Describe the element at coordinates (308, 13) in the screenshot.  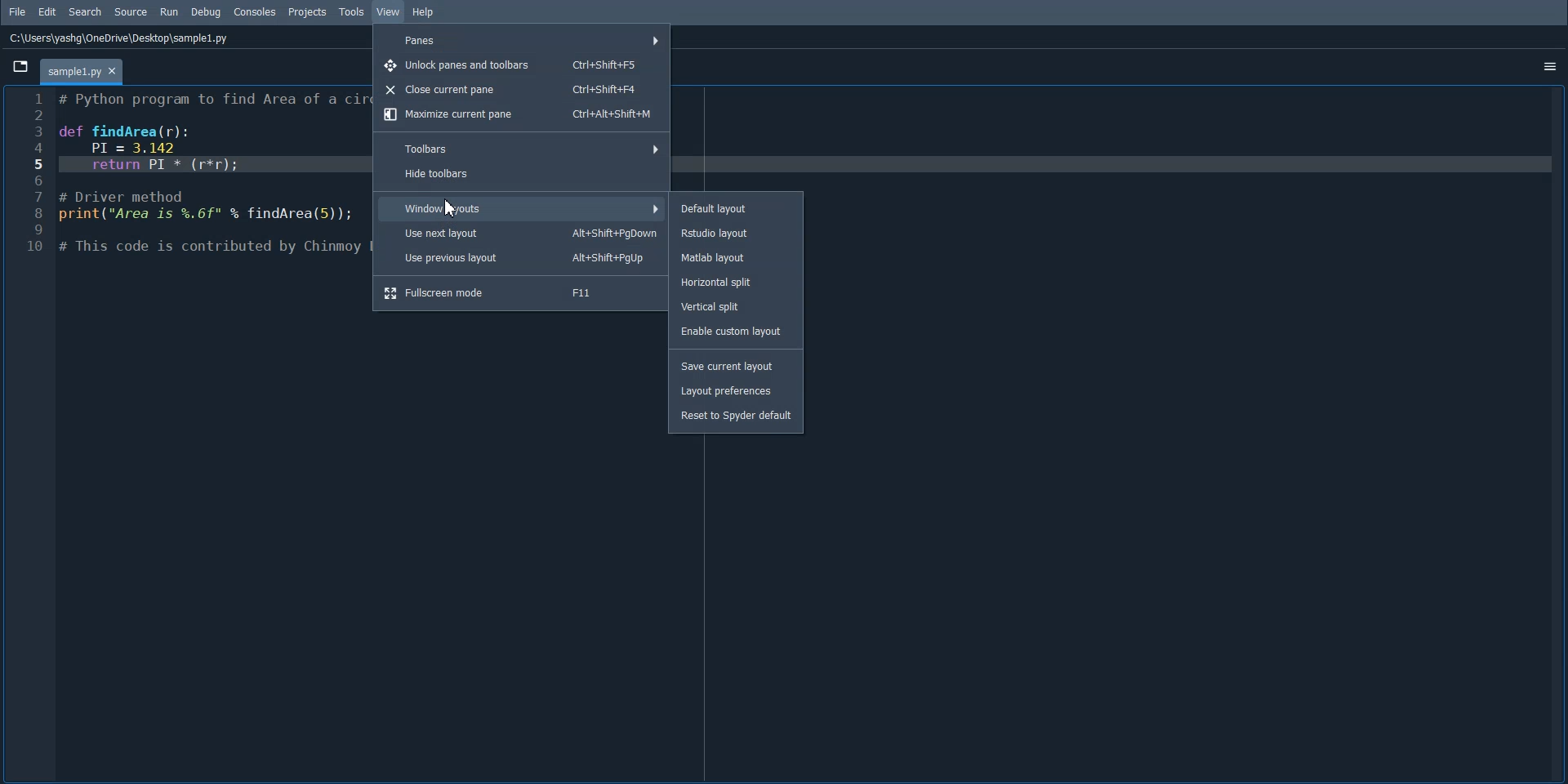
I see `Projects` at that location.